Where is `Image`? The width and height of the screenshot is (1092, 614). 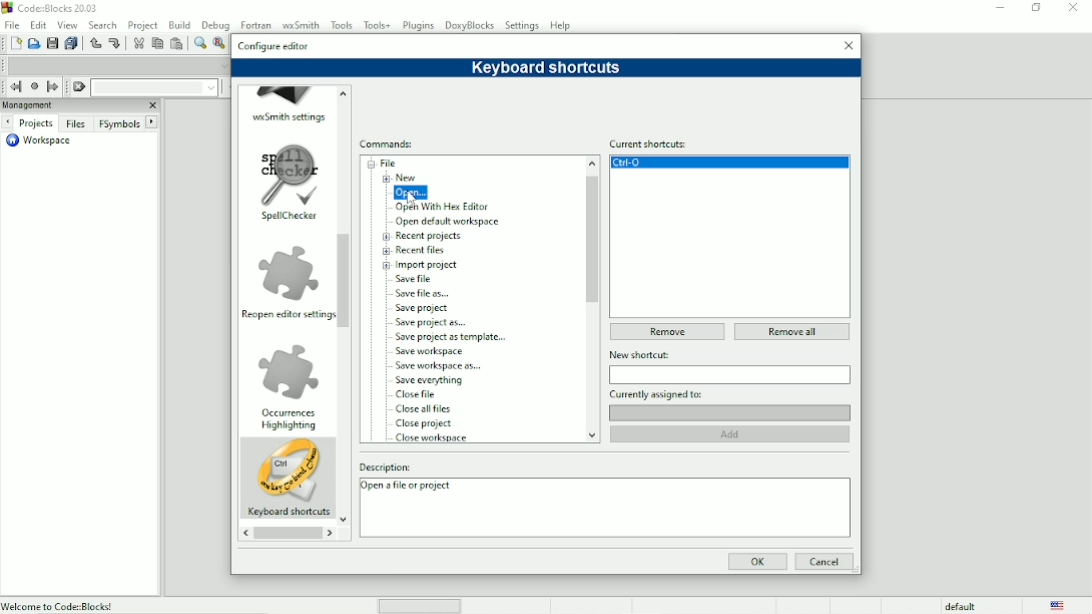 Image is located at coordinates (289, 471).